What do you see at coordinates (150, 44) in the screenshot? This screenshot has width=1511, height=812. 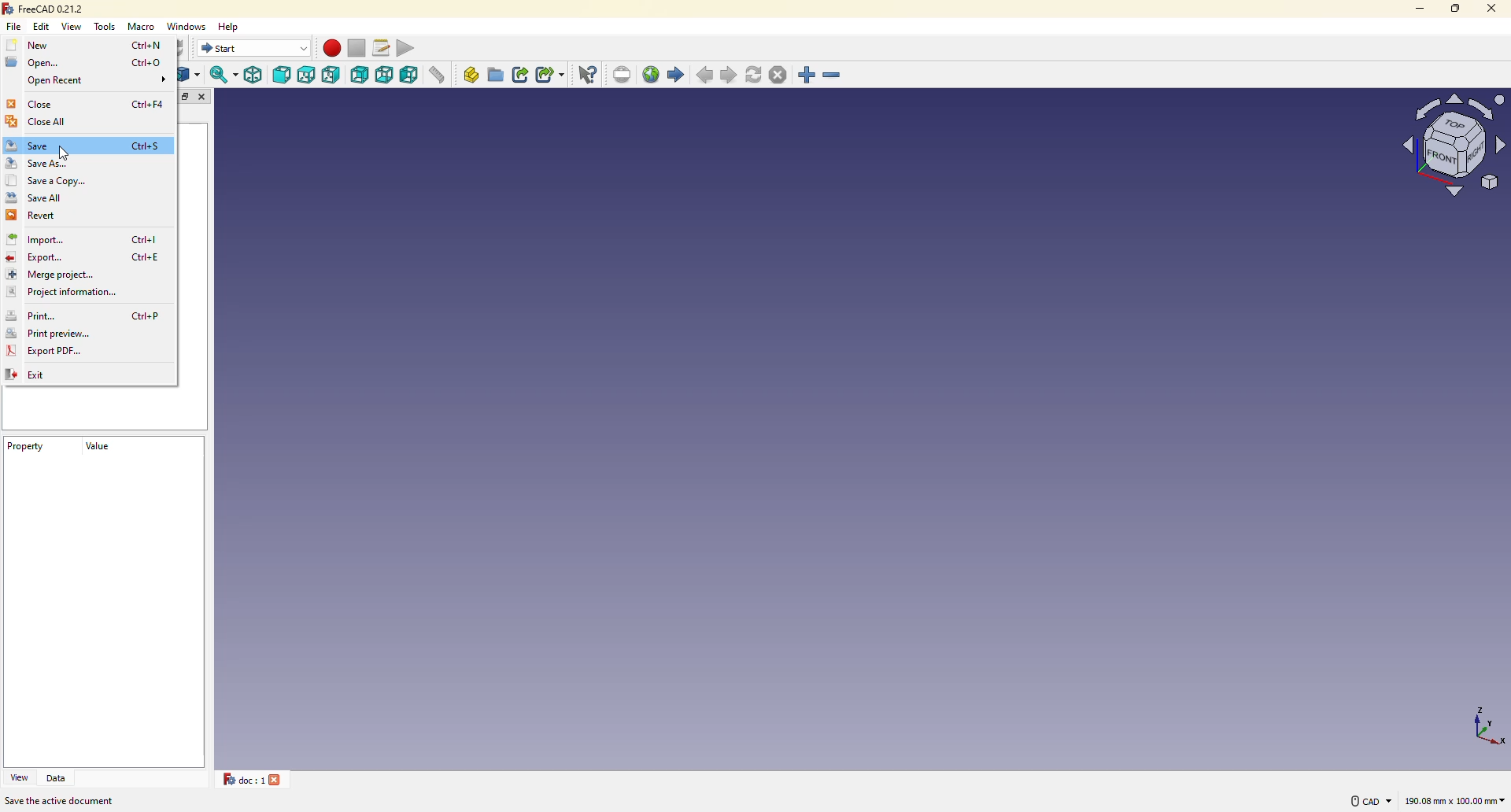 I see `ctrl+n` at bounding box center [150, 44].